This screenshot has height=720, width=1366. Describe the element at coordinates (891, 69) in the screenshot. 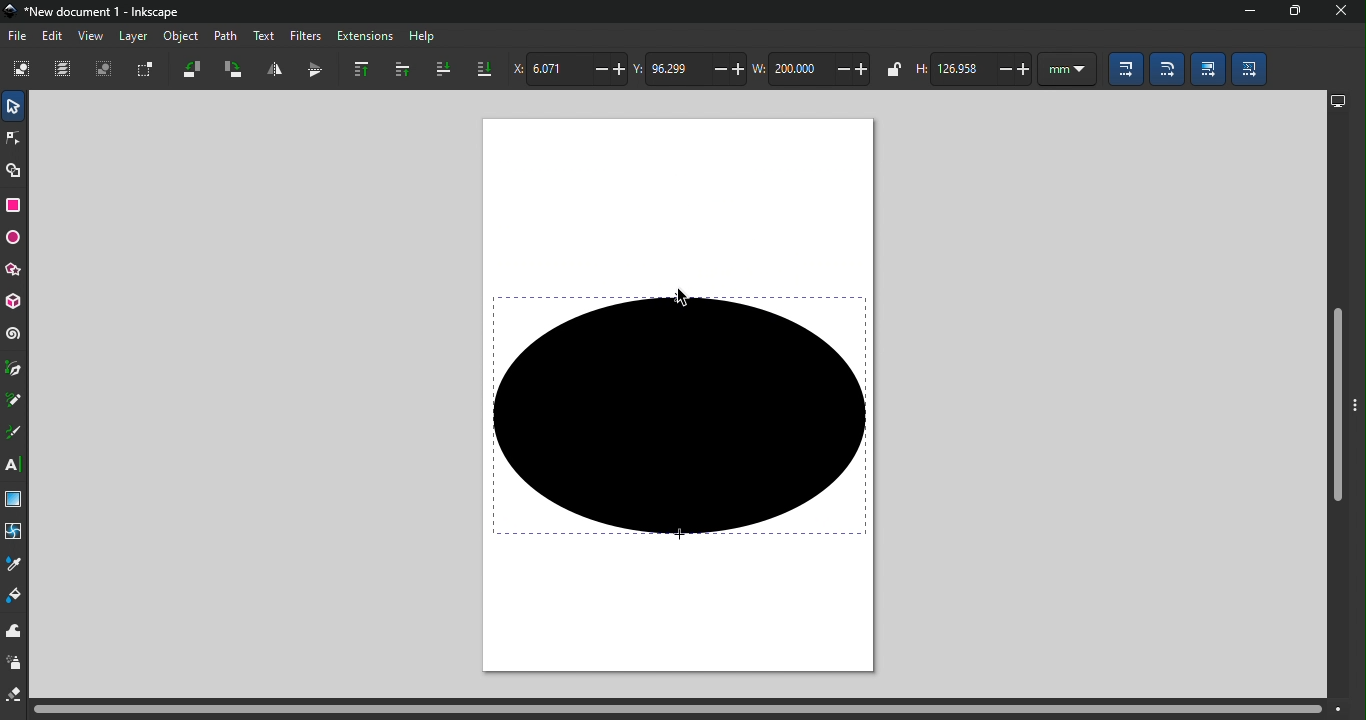

I see `when locked, change width and height by same proportion` at that location.